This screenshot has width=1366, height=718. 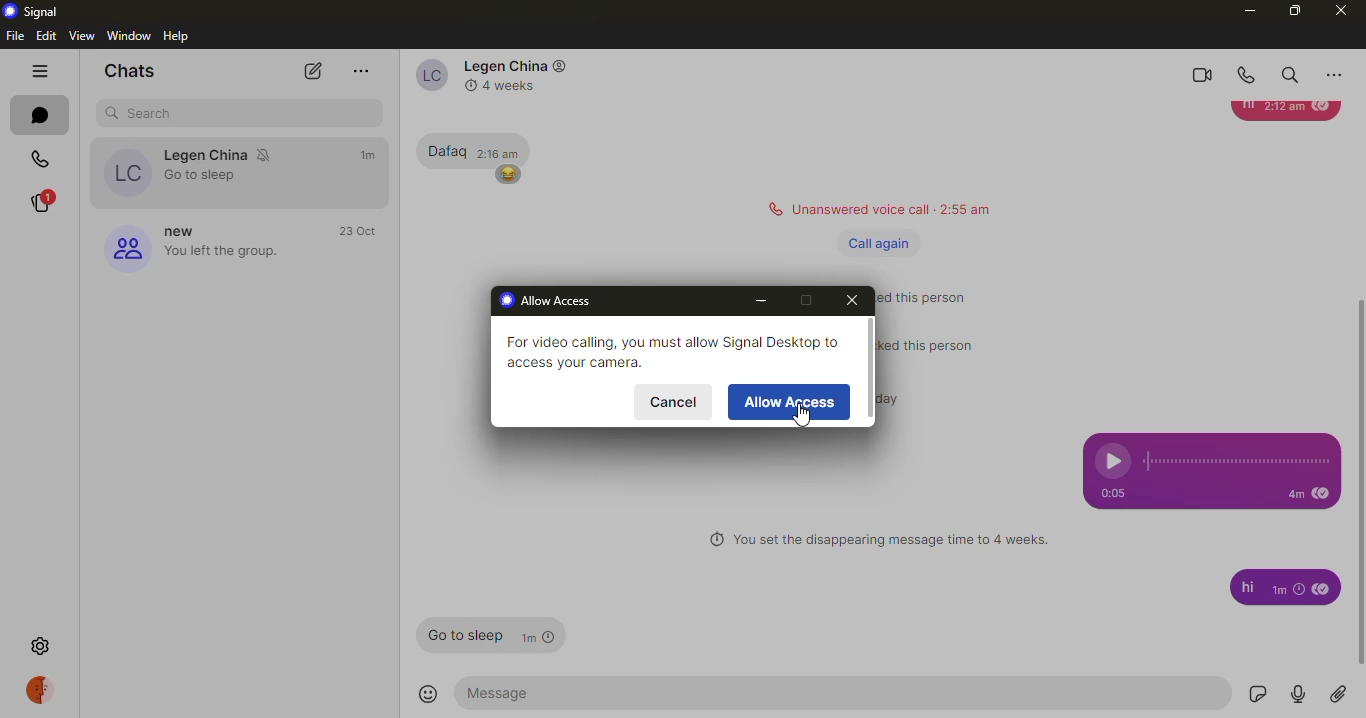 What do you see at coordinates (358, 71) in the screenshot?
I see `more` at bounding box center [358, 71].